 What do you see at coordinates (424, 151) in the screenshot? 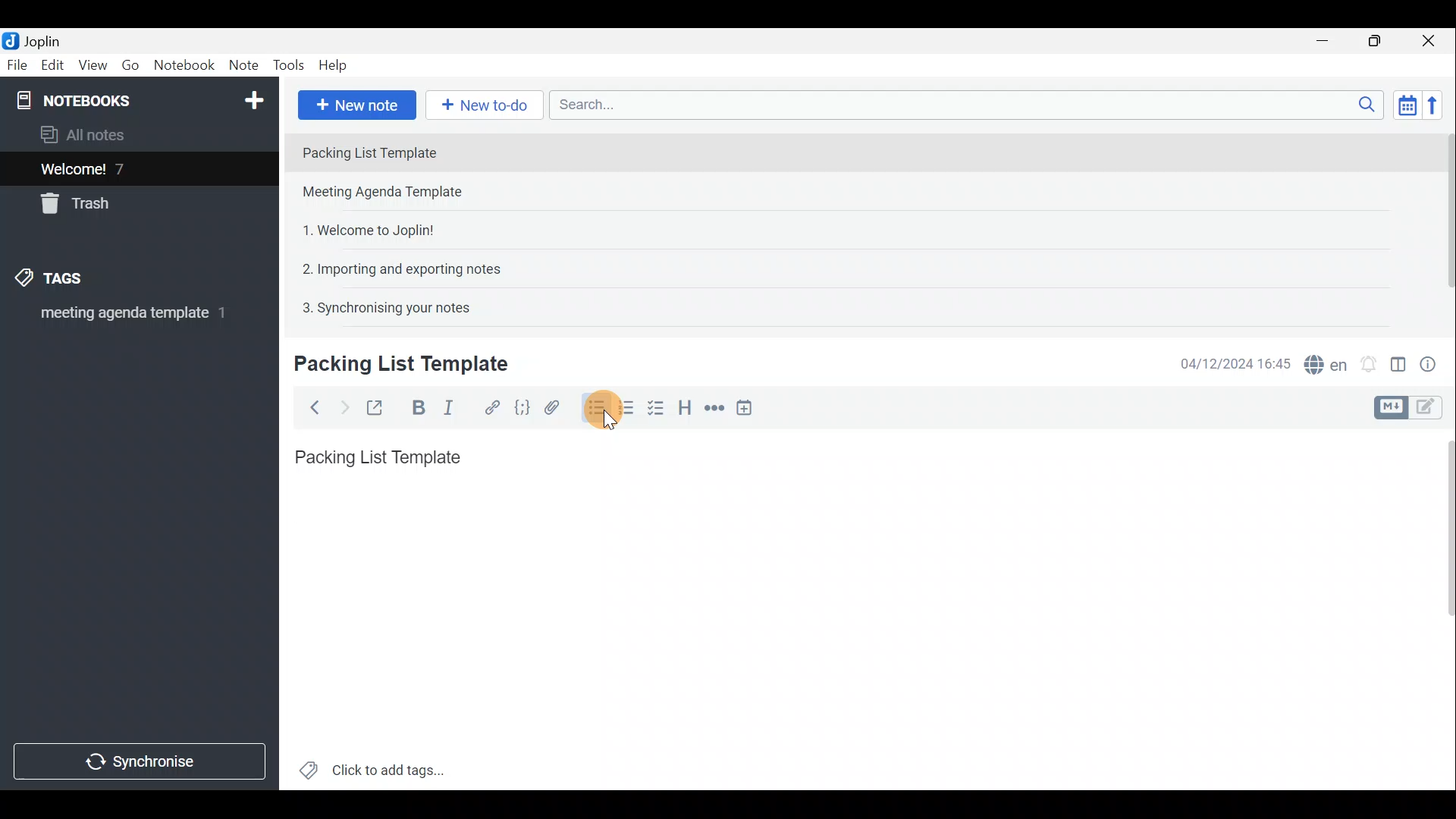
I see `Note 1` at bounding box center [424, 151].